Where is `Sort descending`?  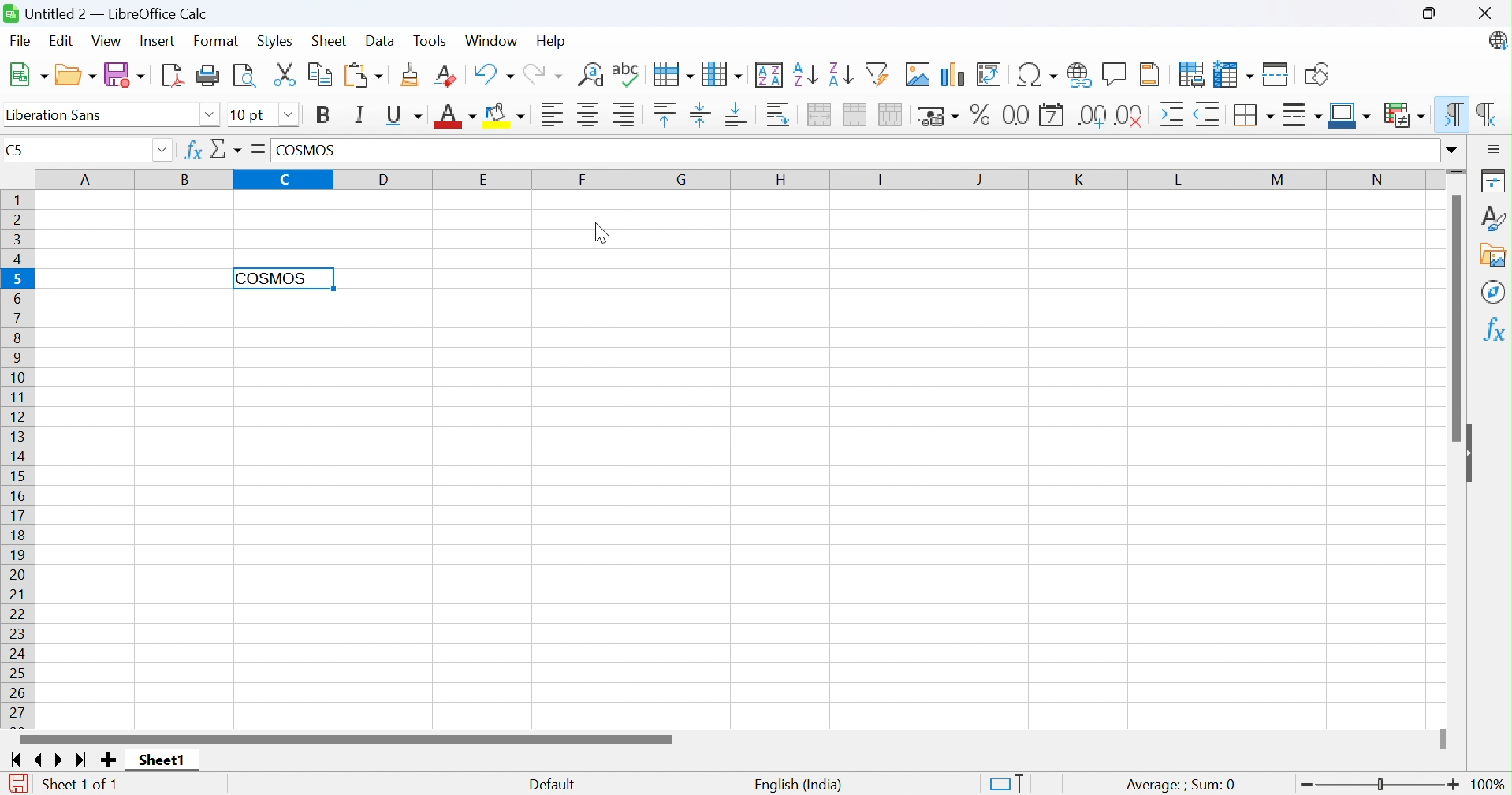 Sort descending is located at coordinates (840, 74).